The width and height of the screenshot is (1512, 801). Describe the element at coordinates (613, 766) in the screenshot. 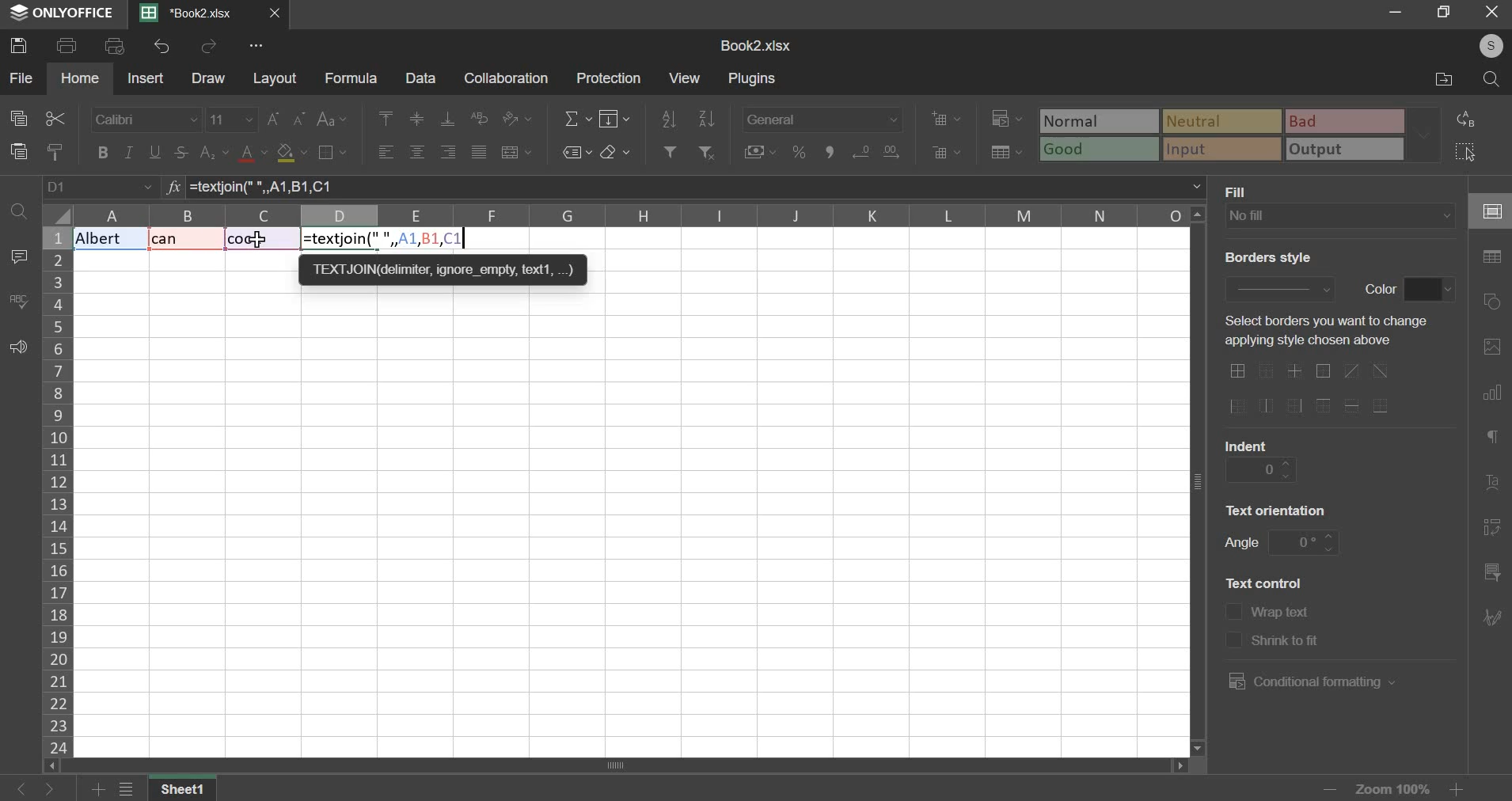

I see `scroll bar` at that location.